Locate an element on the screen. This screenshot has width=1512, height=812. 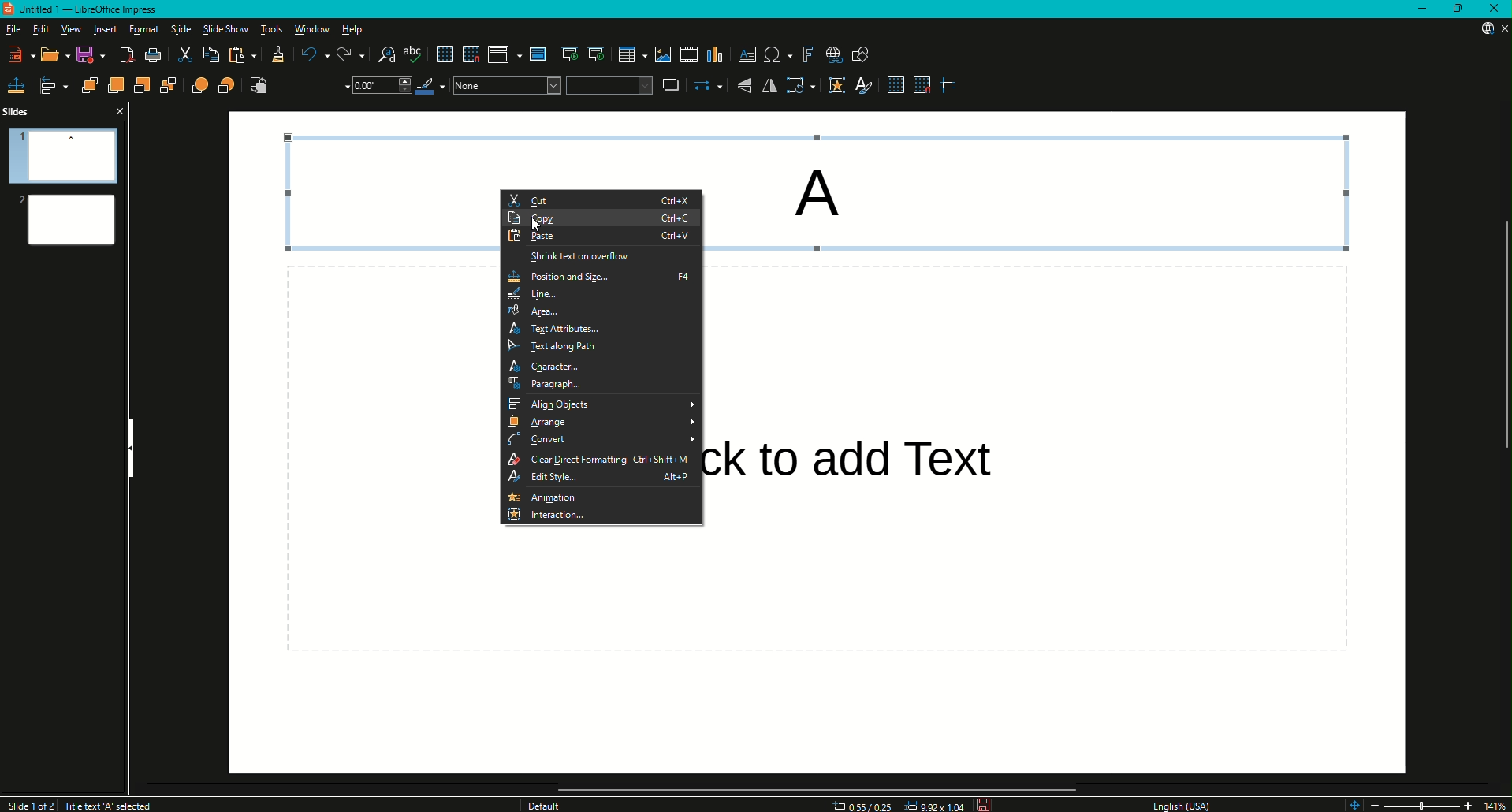
 is located at coordinates (547, 806).